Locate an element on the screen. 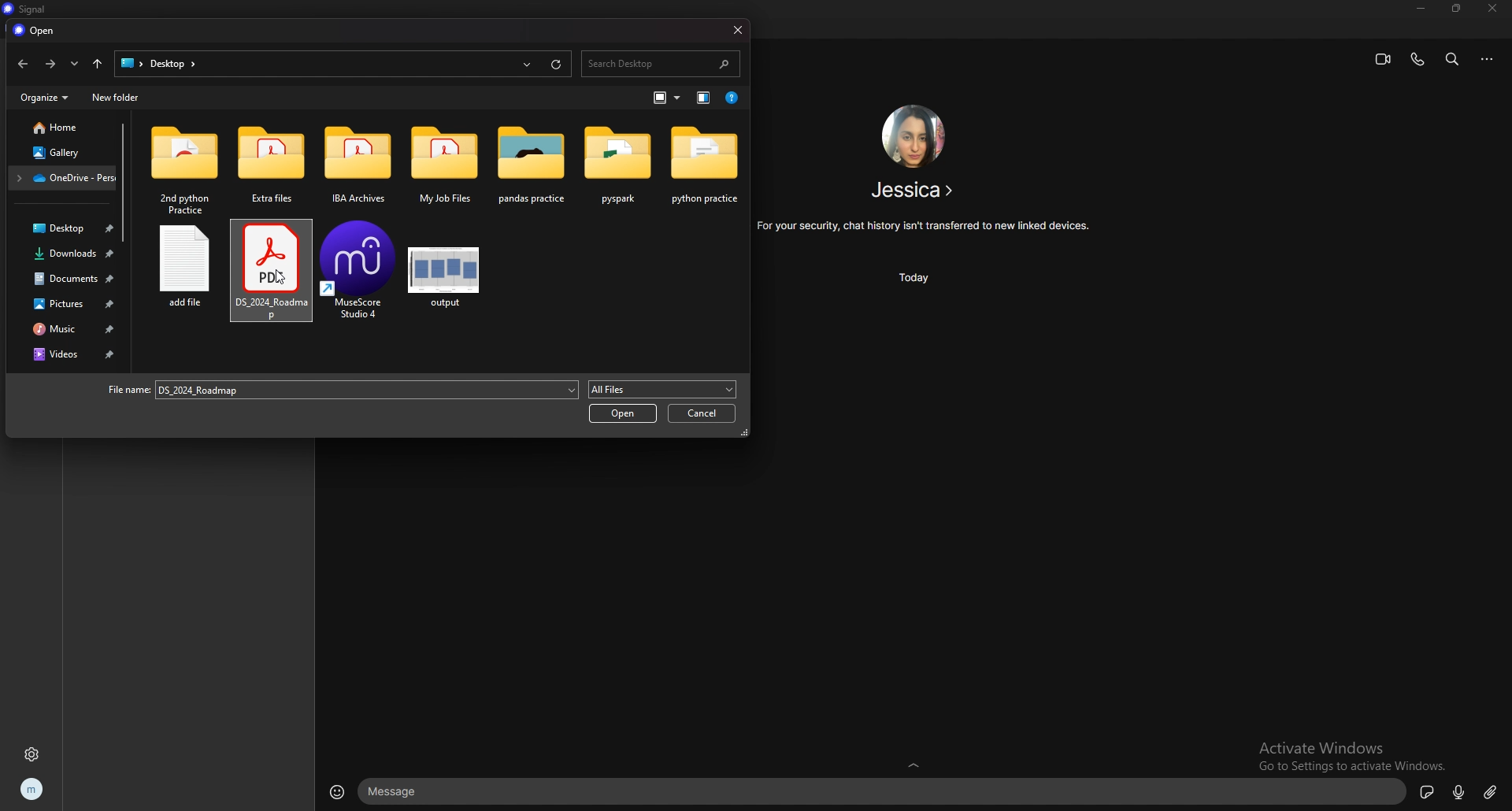 The image size is (1512, 811). folder is located at coordinates (445, 169).